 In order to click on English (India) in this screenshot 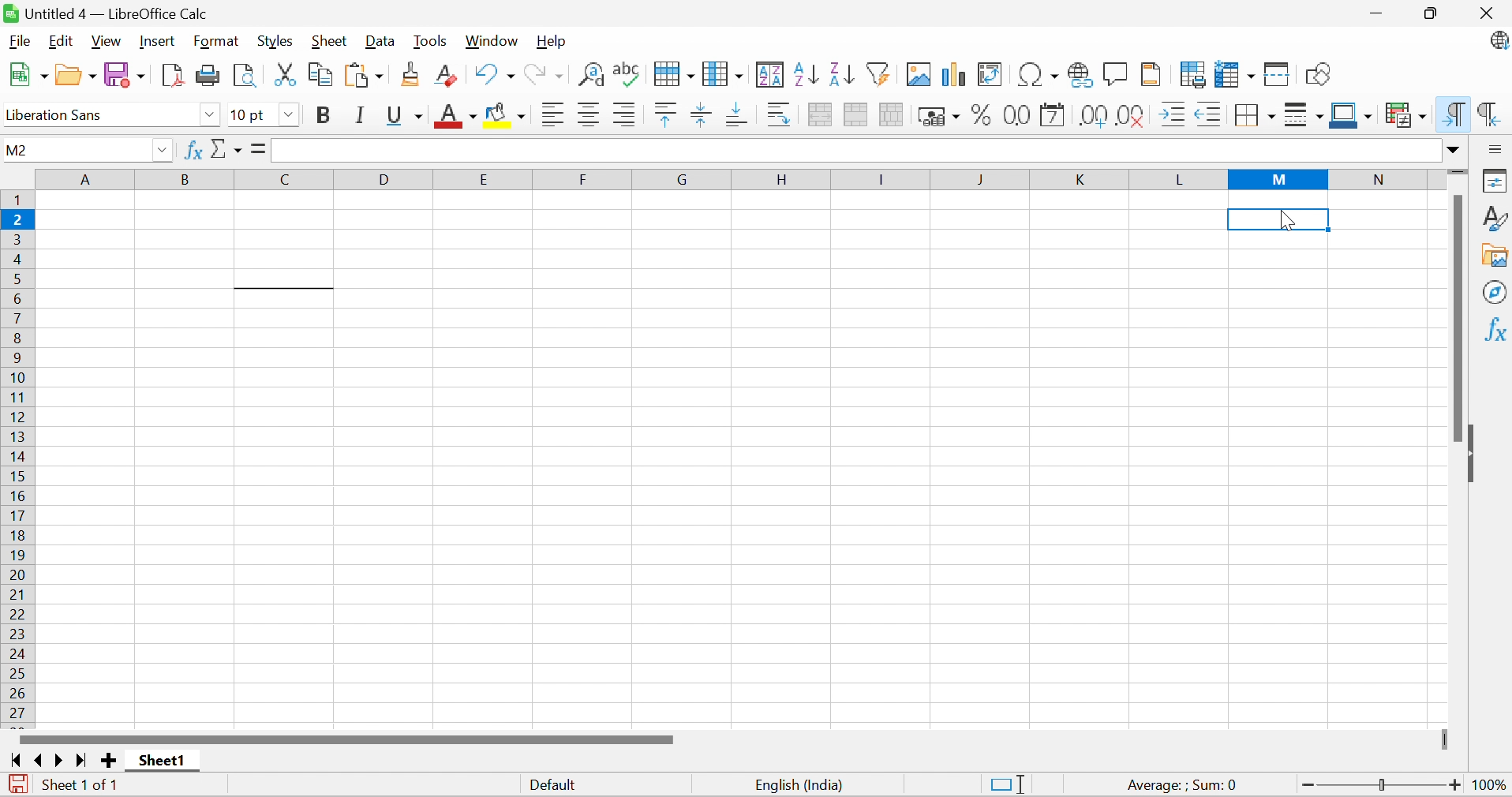, I will do `click(800, 785)`.